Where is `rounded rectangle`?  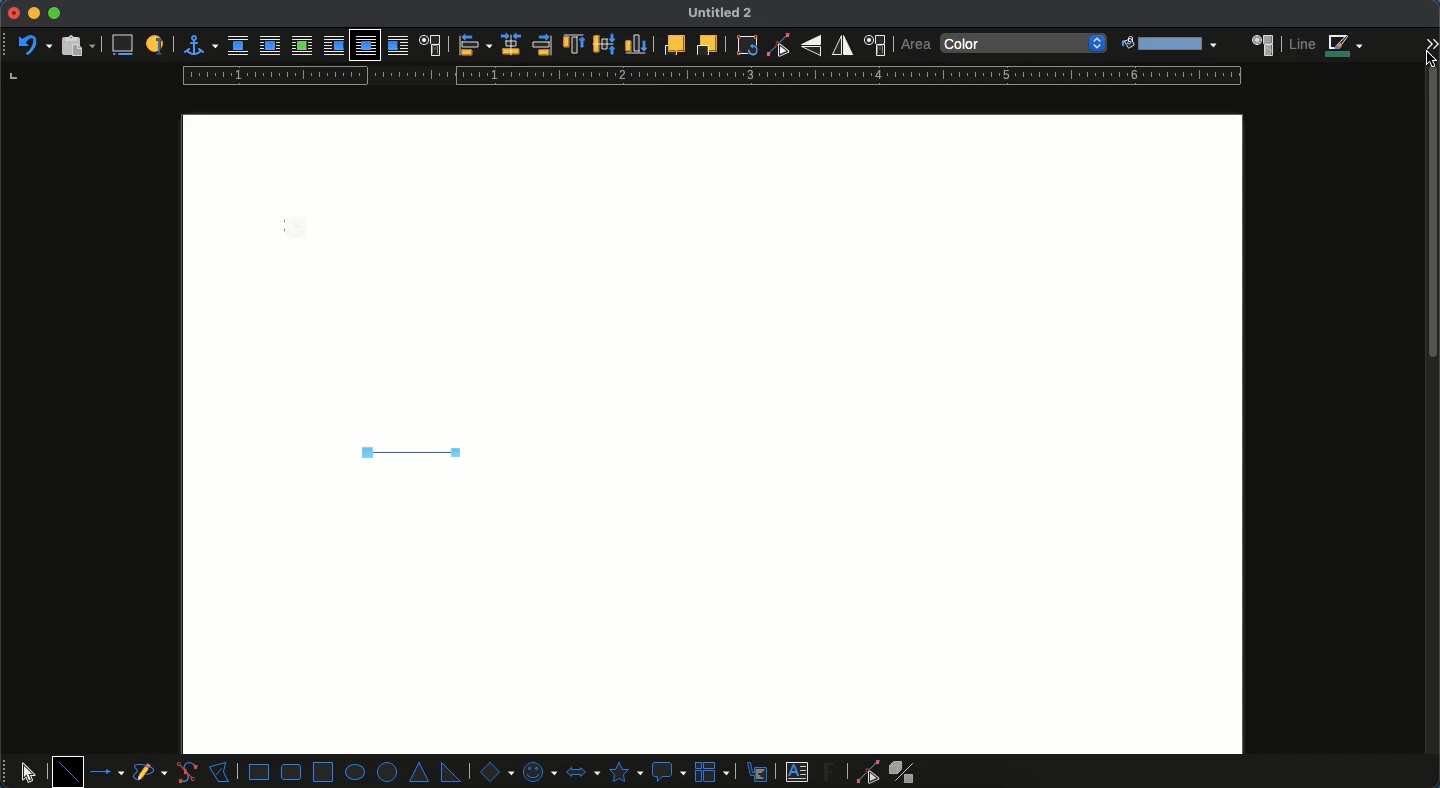
rounded rectangle is located at coordinates (292, 772).